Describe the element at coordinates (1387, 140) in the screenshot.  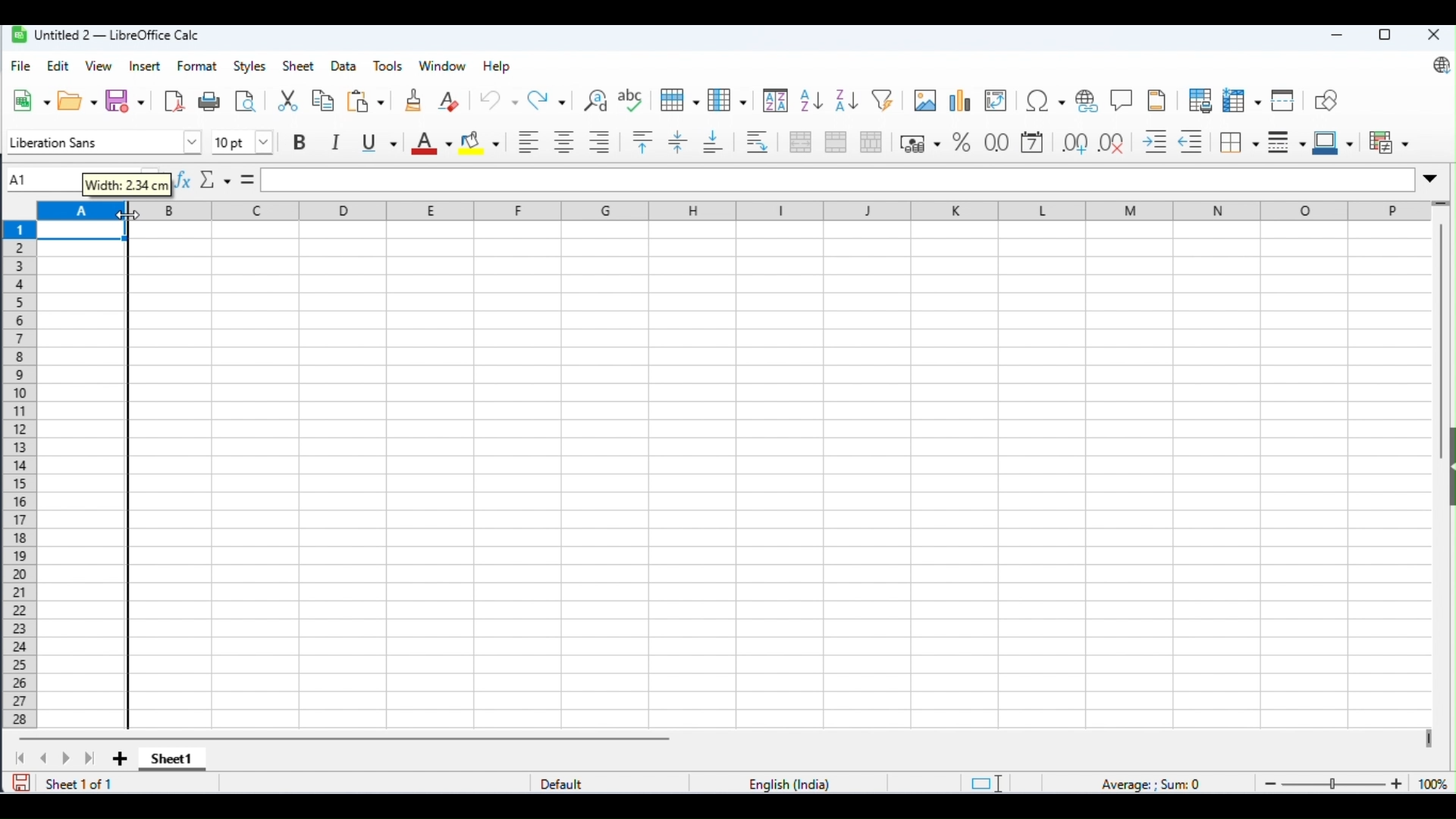
I see `conditional` at that location.